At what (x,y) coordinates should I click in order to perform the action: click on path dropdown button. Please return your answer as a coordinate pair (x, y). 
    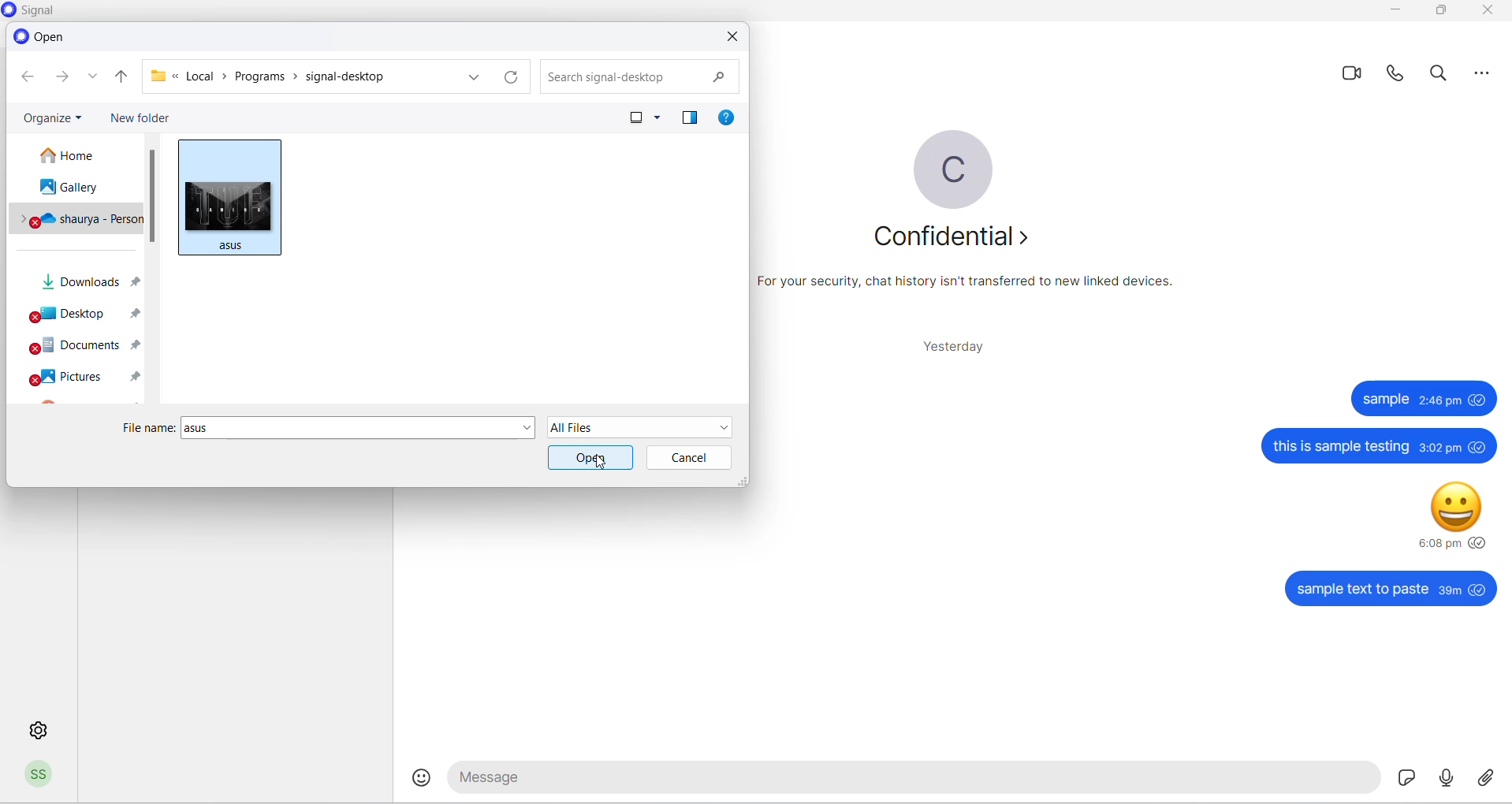
    Looking at the image, I should click on (472, 76).